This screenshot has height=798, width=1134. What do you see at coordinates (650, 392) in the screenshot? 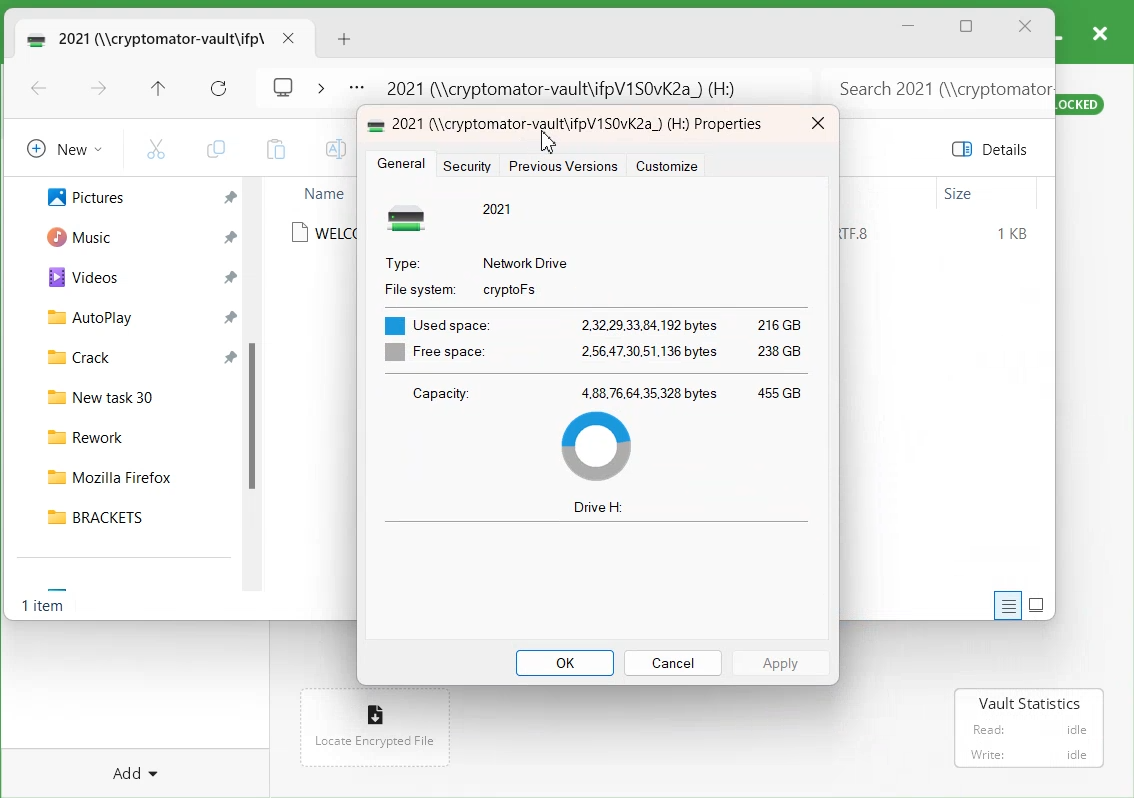
I see `4.88,76.64.35.328 bytes.` at bounding box center [650, 392].